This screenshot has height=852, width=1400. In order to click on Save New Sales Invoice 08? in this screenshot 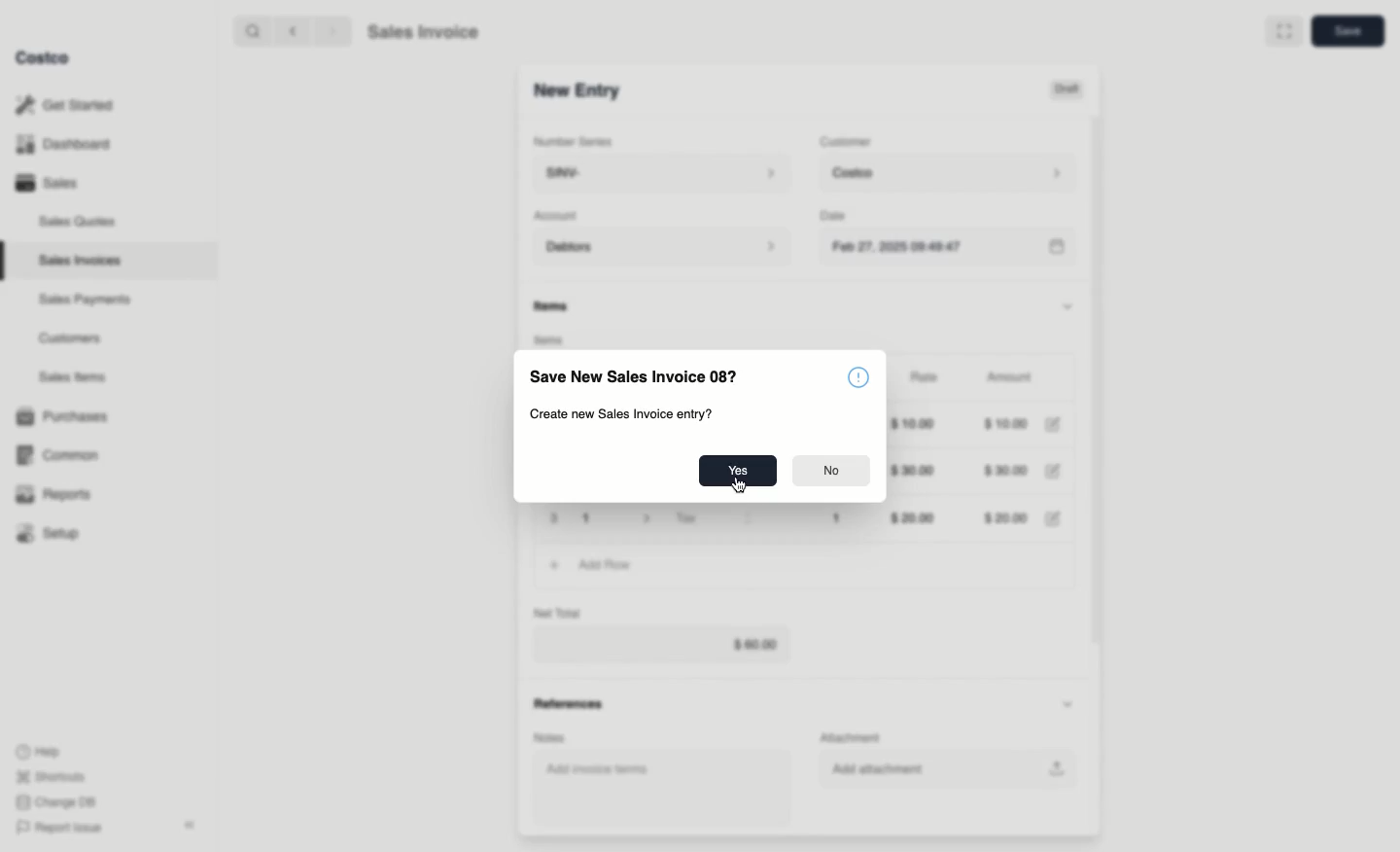, I will do `click(643, 377)`.